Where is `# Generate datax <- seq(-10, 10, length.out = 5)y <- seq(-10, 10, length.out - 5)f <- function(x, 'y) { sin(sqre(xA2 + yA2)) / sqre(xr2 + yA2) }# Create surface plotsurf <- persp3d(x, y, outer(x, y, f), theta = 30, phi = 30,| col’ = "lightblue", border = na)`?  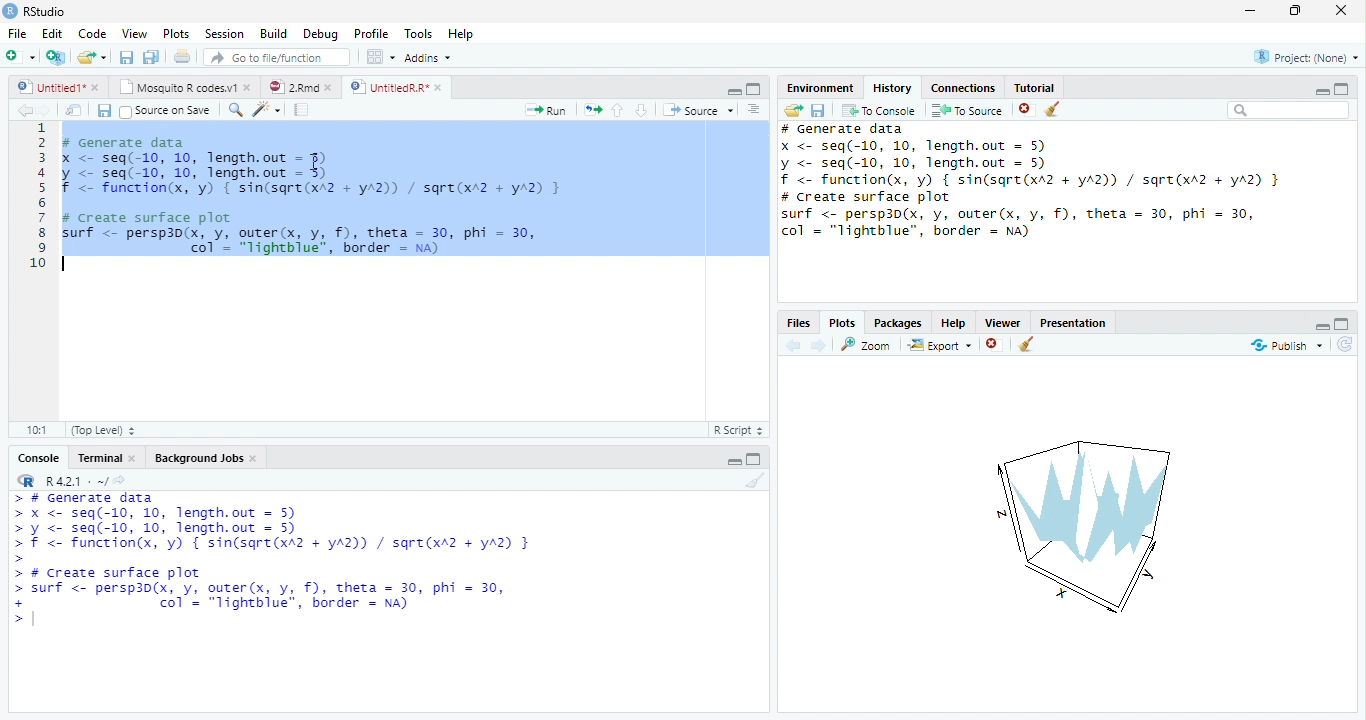 # Generate datax <- seq(-10, 10, length.out = 5)y <- seq(-10, 10, length.out - 5)f <- function(x, 'y) { sin(sqre(xA2 + yA2)) / sqre(xr2 + yA2) }# Create surface plotsurf <- persp3d(x, y, outer(x, y, f), theta = 30, phi = 30,| col’ = "lightblue", border = na) is located at coordinates (317, 204).